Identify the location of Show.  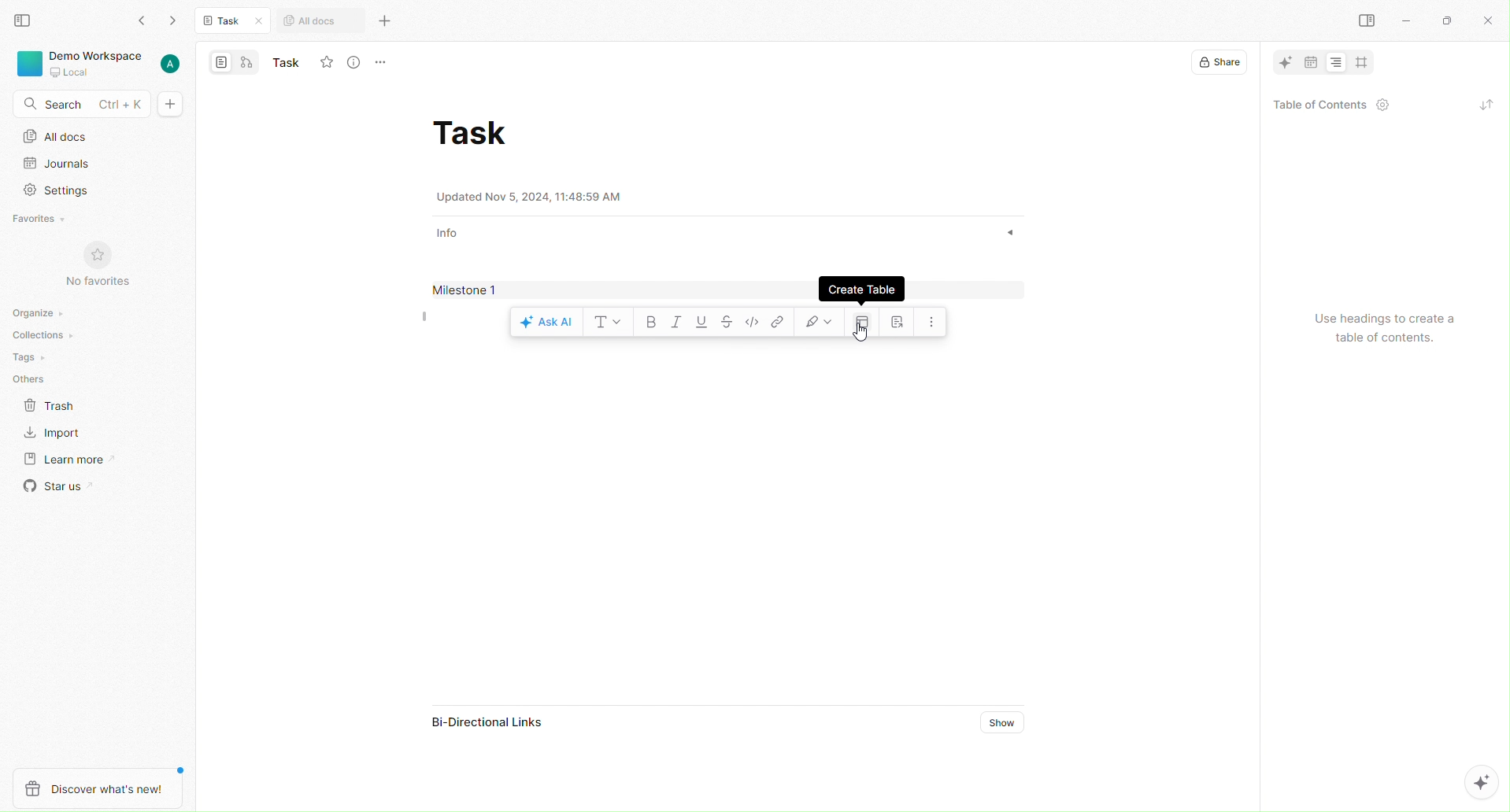
(992, 722).